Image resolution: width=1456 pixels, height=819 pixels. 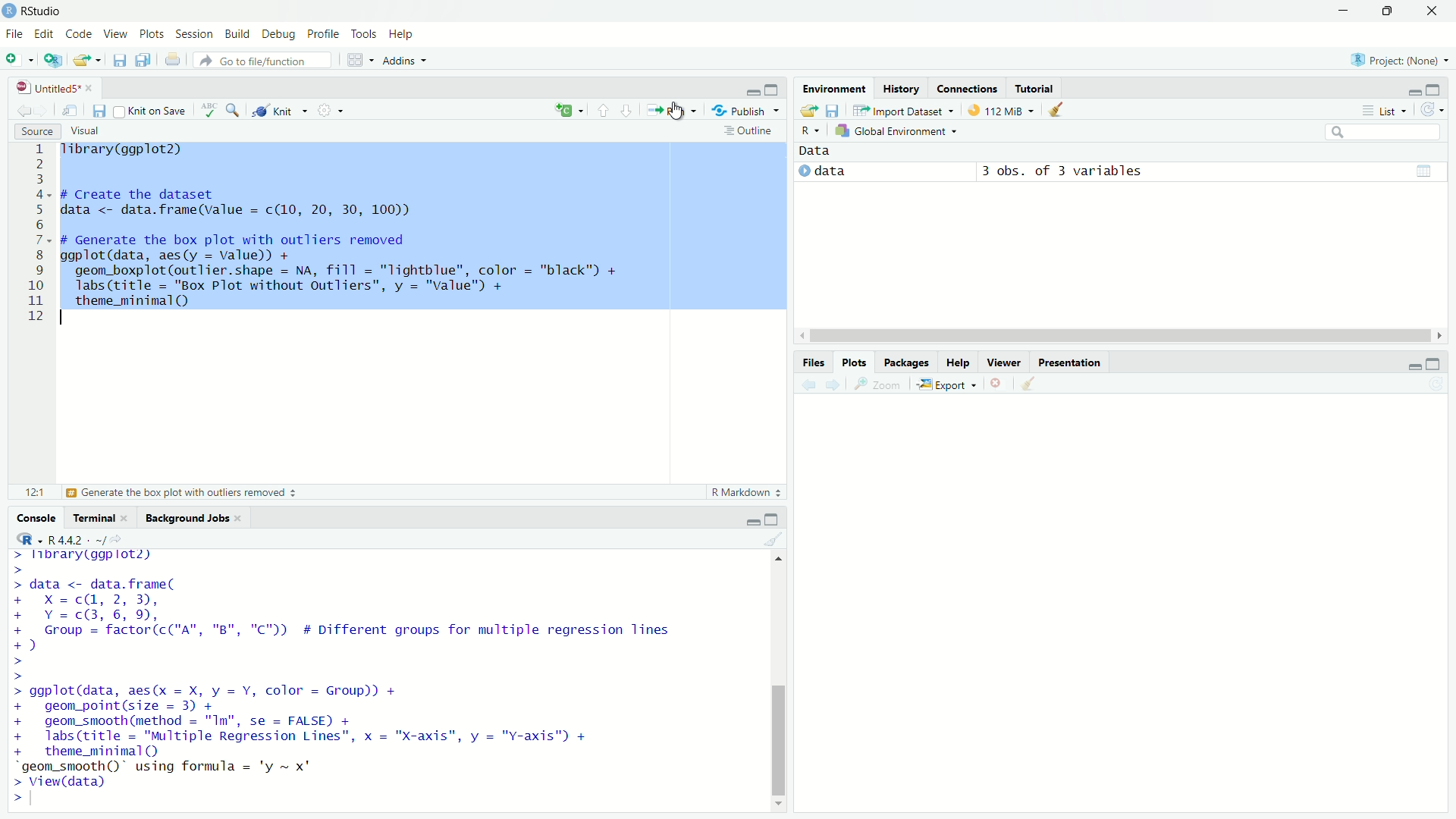 I want to click on scroll bar, so click(x=778, y=679).